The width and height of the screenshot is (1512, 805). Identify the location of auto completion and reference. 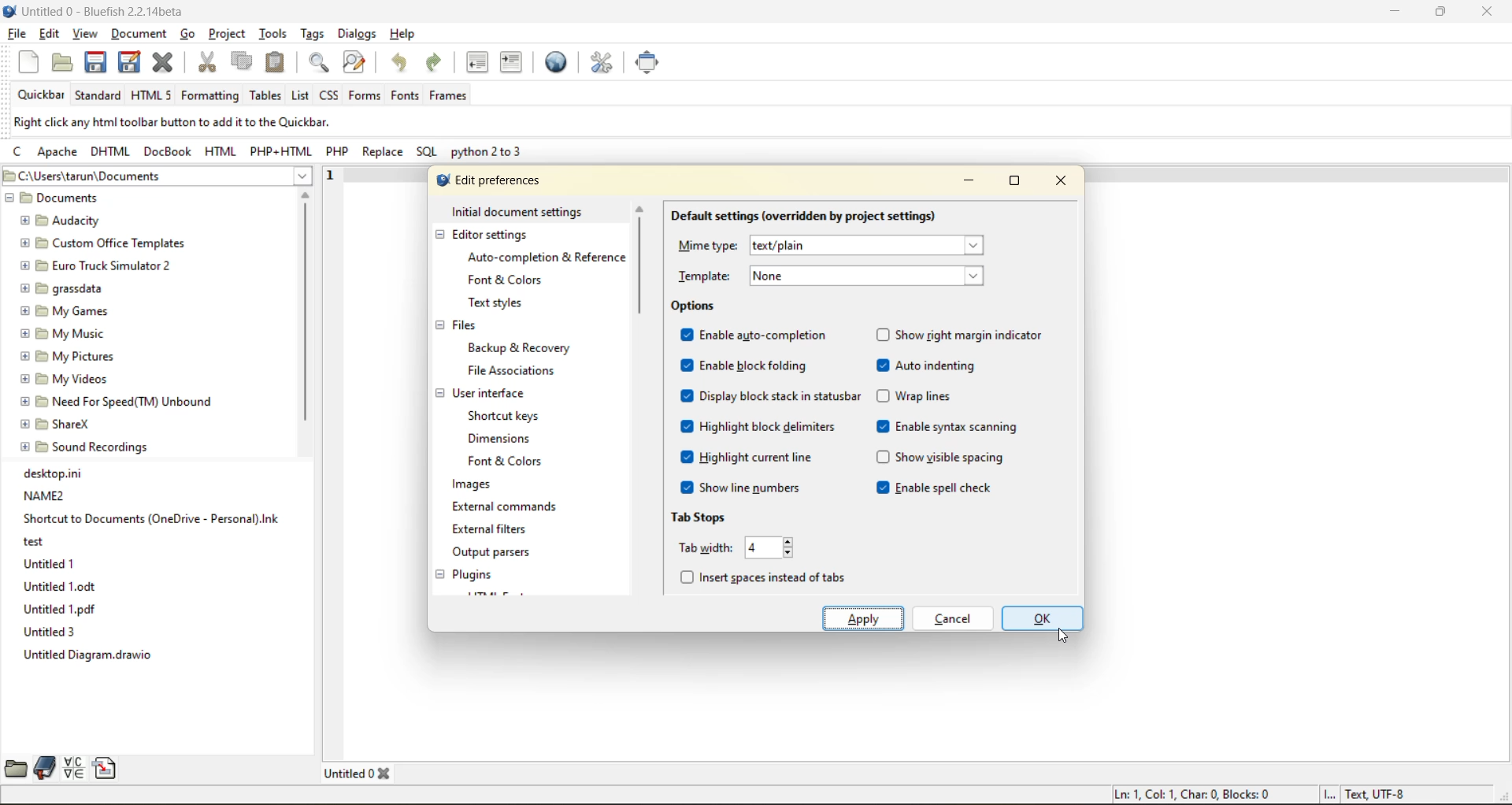
(541, 258).